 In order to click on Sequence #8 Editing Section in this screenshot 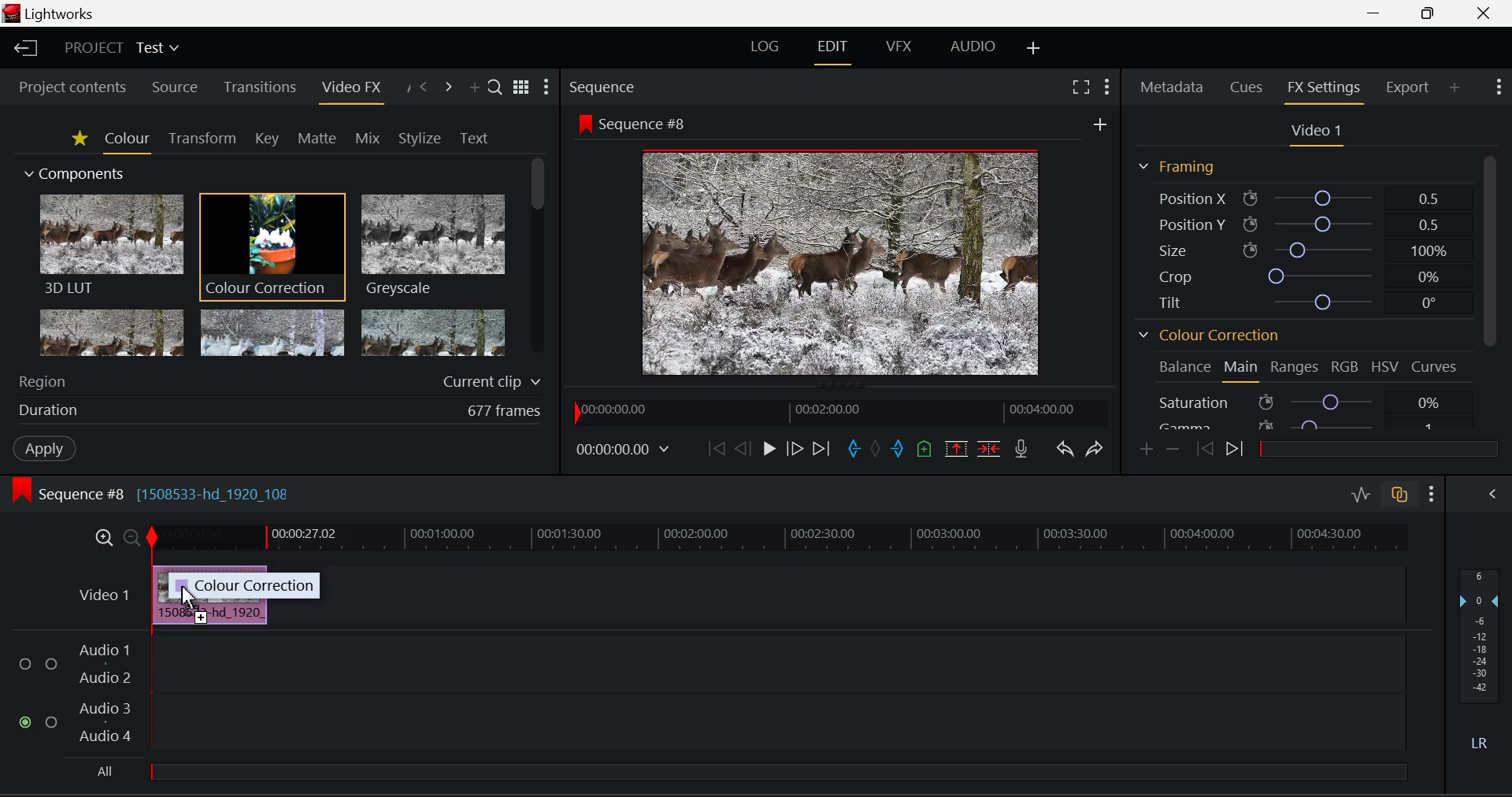, I will do `click(148, 493)`.